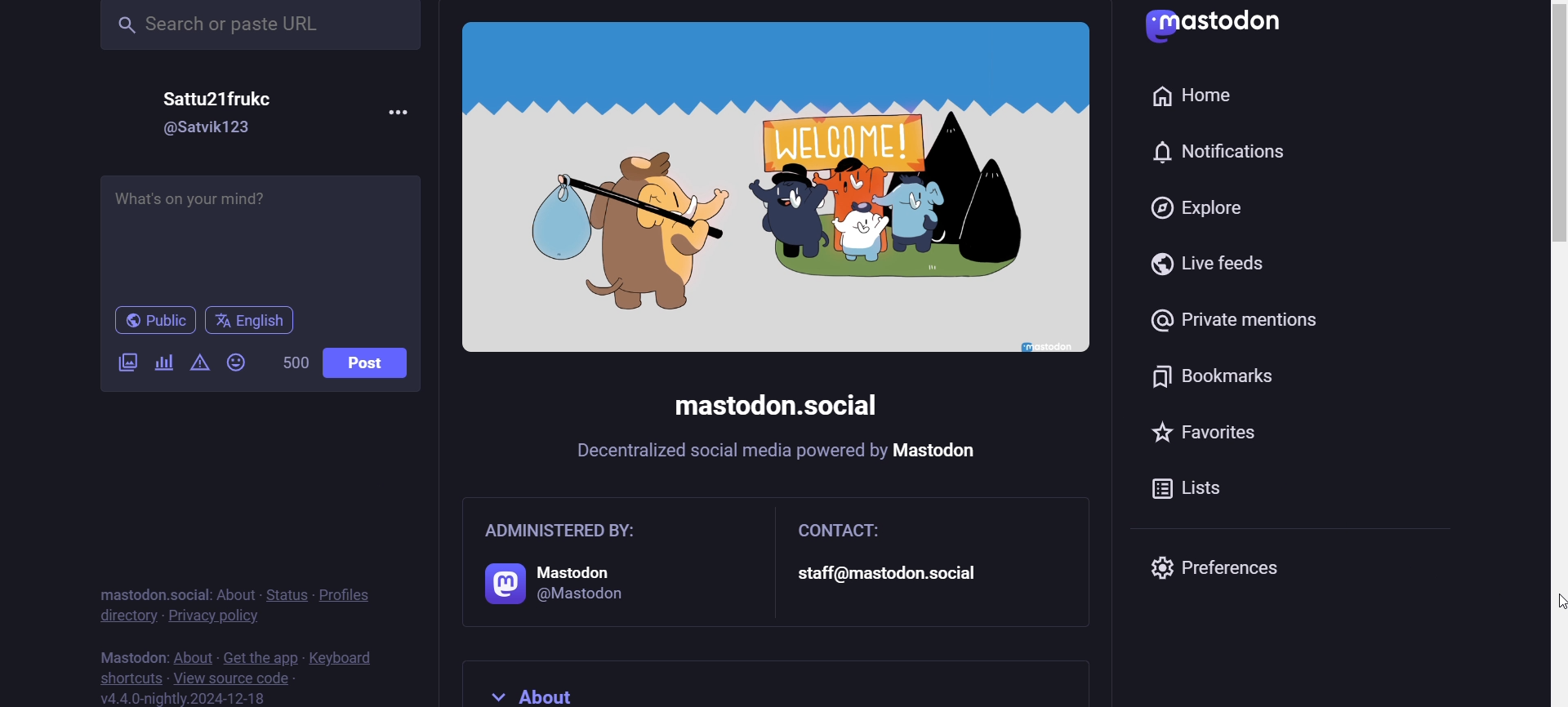 The width and height of the screenshot is (1568, 707). I want to click on Sattu21frukc, so click(220, 102).